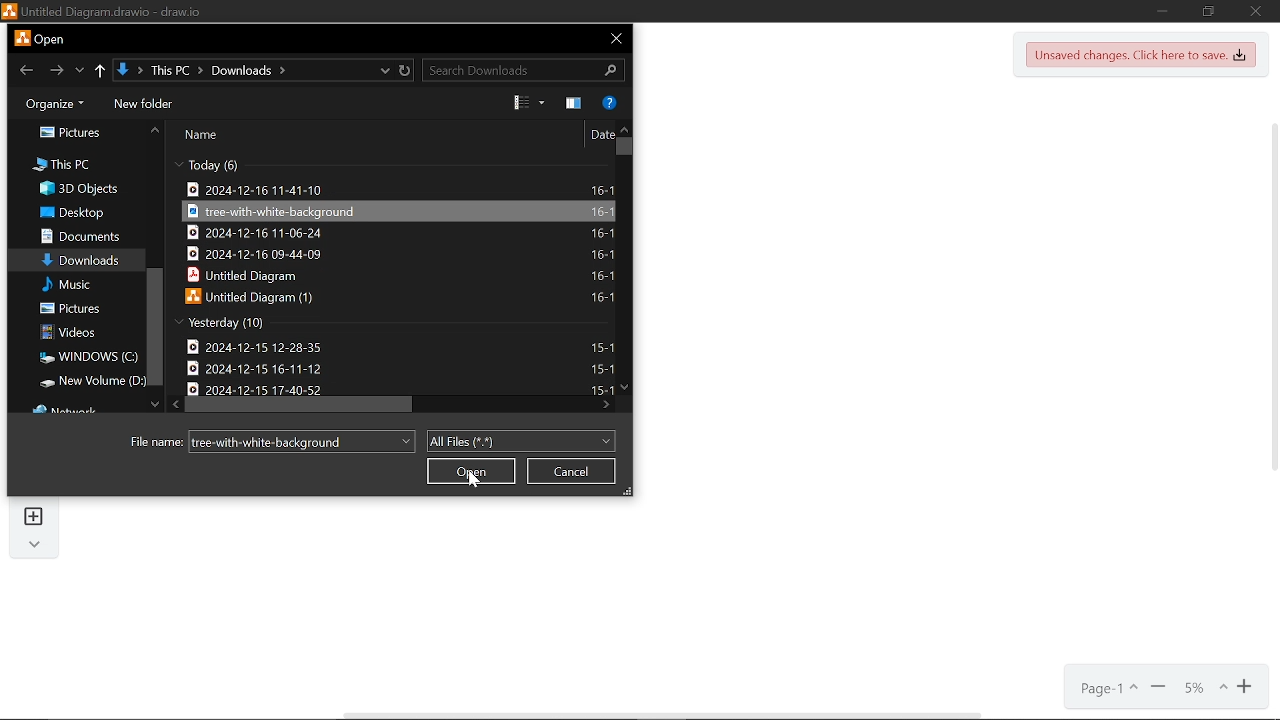  Describe the element at coordinates (660, 715) in the screenshot. I see `horizontal scrollbar` at that location.